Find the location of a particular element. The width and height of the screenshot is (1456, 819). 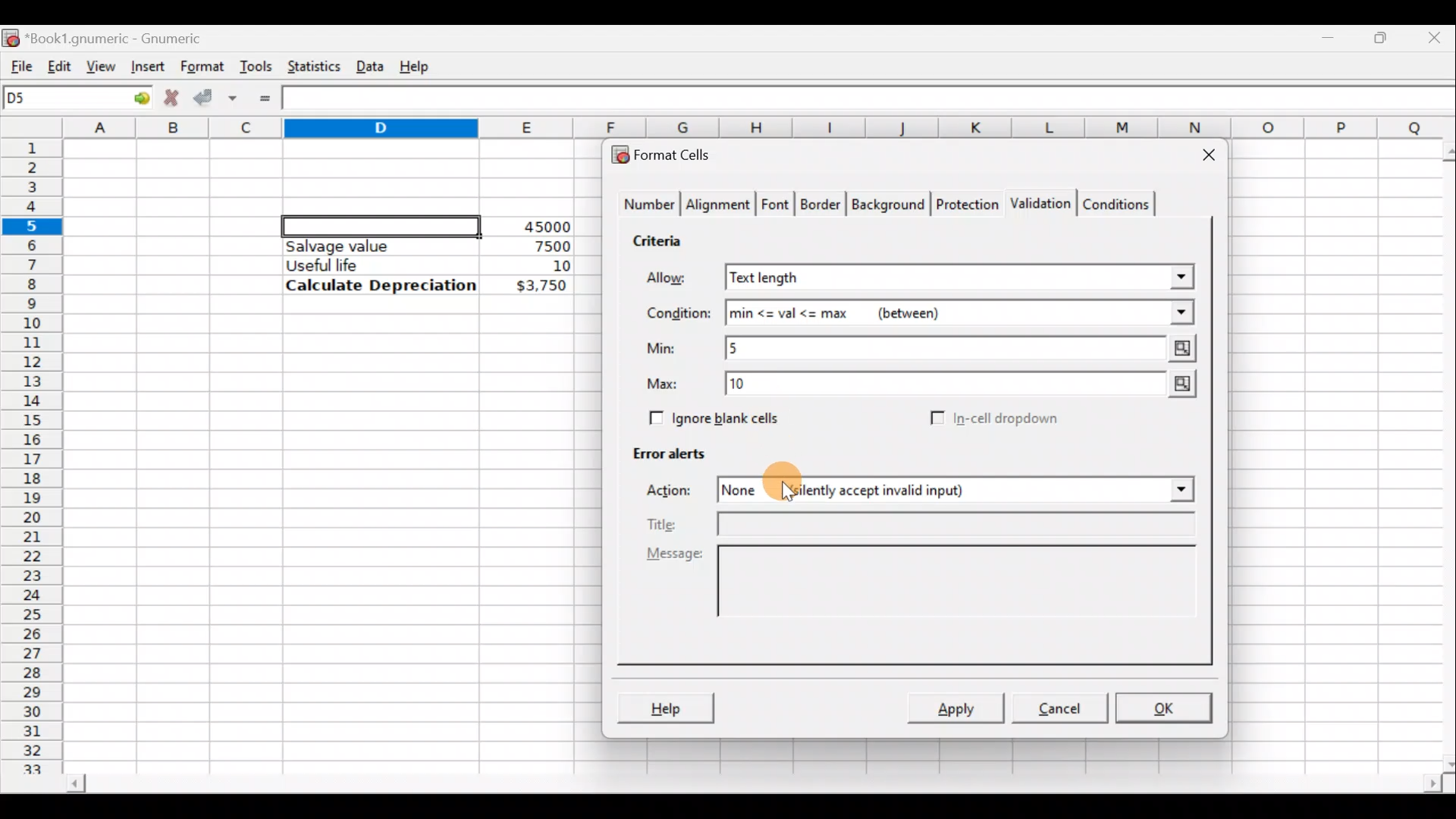

45000 is located at coordinates (541, 227).